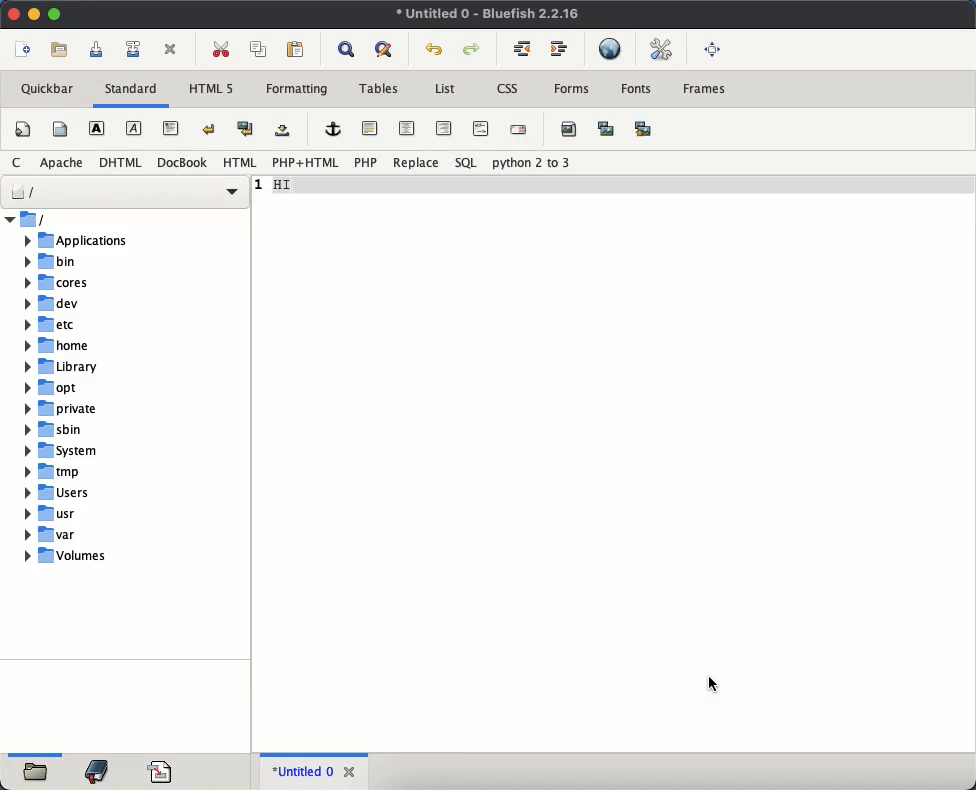 The image size is (976, 790). I want to click on Hi, so click(290, 186).